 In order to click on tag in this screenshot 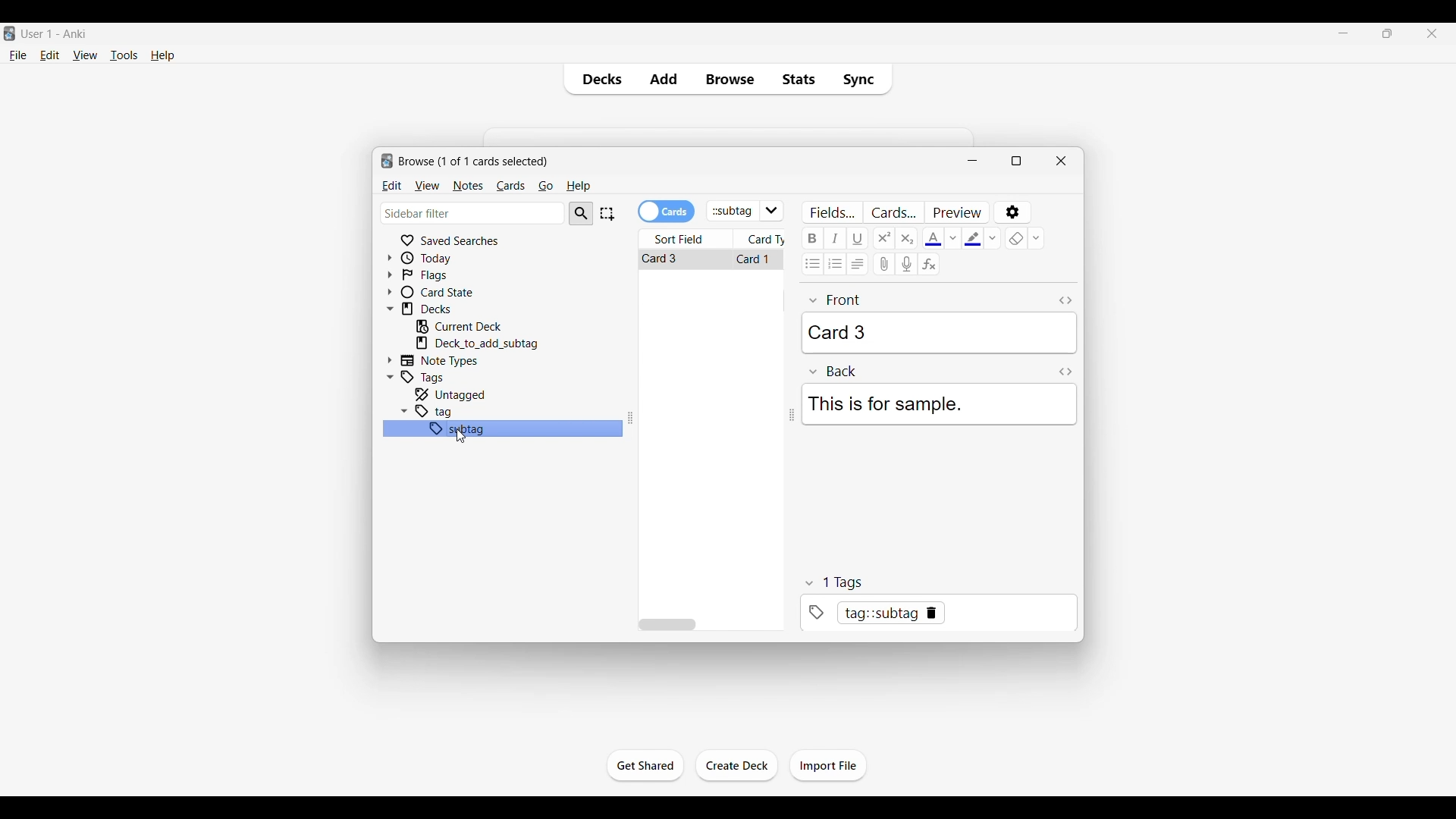, I will do `click(431, 412)`.